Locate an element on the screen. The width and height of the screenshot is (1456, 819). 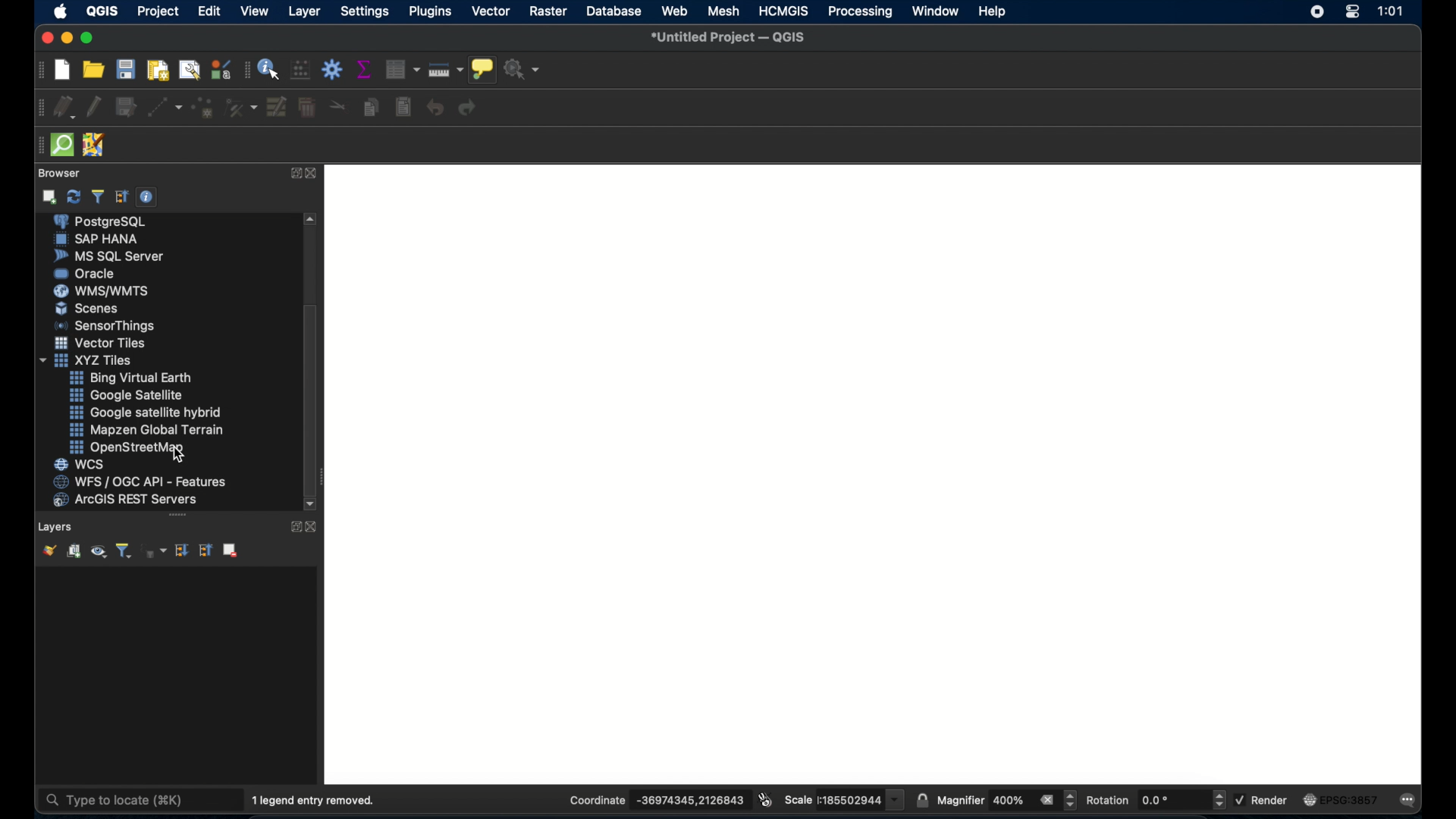
vector is located at coordinates (492, 11).